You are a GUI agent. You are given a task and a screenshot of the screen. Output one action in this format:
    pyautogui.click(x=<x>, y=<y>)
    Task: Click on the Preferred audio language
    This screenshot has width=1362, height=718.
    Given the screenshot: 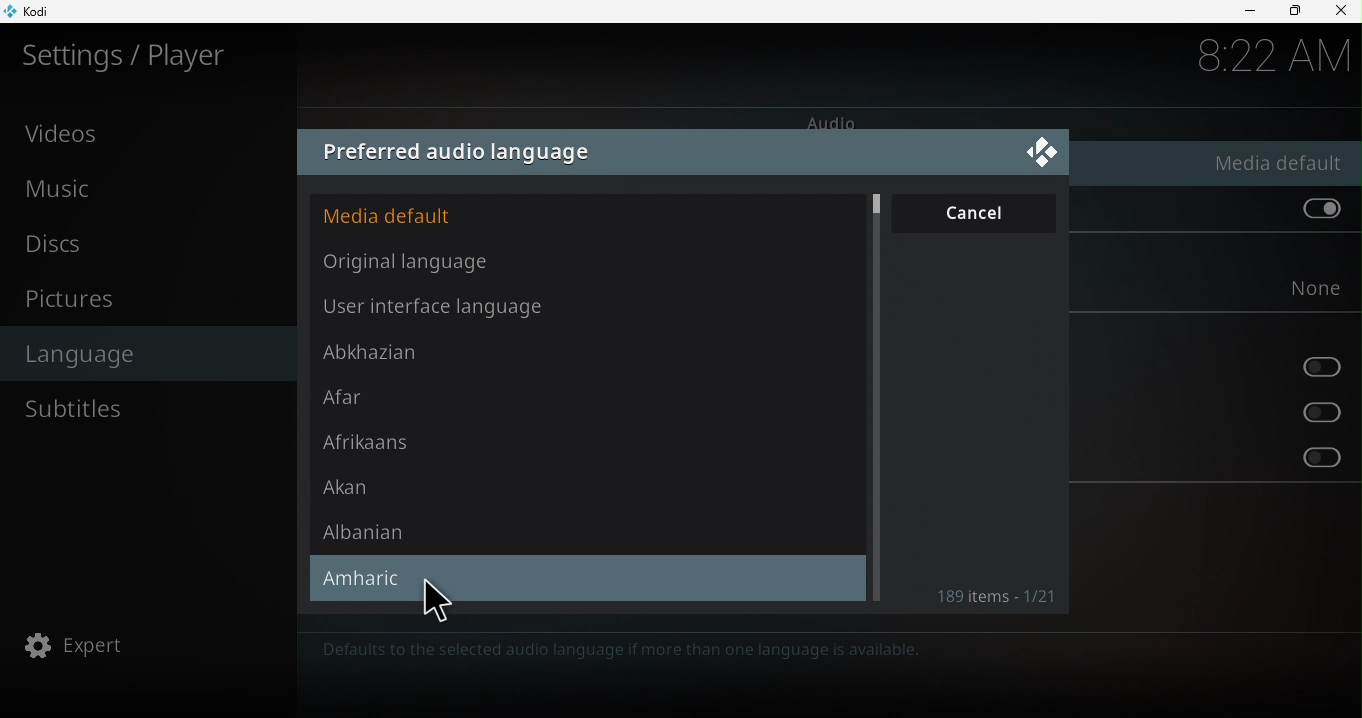 What is the action you would take?
    pyautogui.click(x=451, y=151)
    